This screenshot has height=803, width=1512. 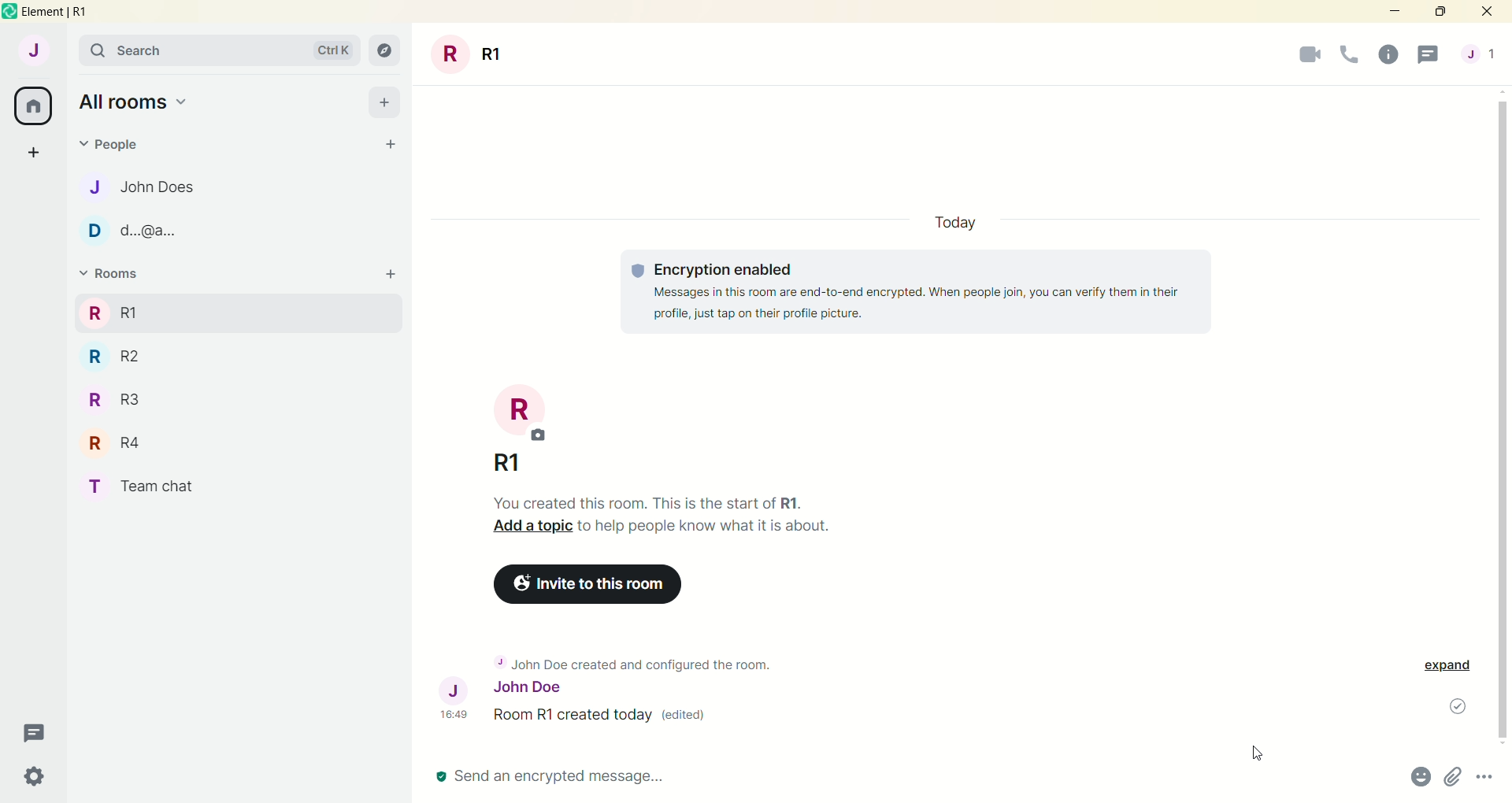 What do you see at coordinates (957, 224) in the screenshot?
I see `Today` at bounding box center [957, 224].